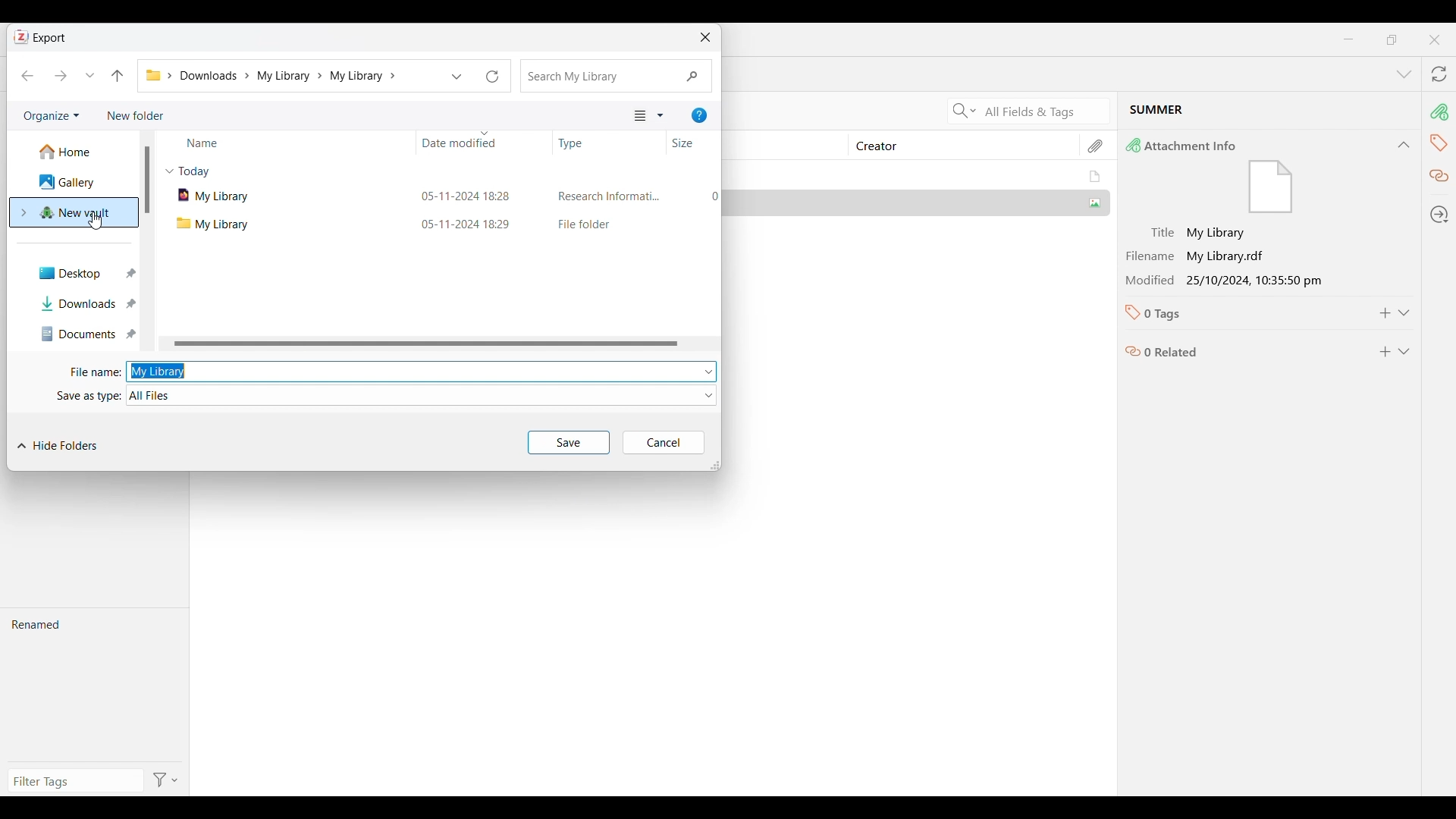 Image resolution: width=1456 pixels, height=819 pixels. Describe the element at coordinates (1043, 111) in the screenshot. I see `Current search criteria` at that location.